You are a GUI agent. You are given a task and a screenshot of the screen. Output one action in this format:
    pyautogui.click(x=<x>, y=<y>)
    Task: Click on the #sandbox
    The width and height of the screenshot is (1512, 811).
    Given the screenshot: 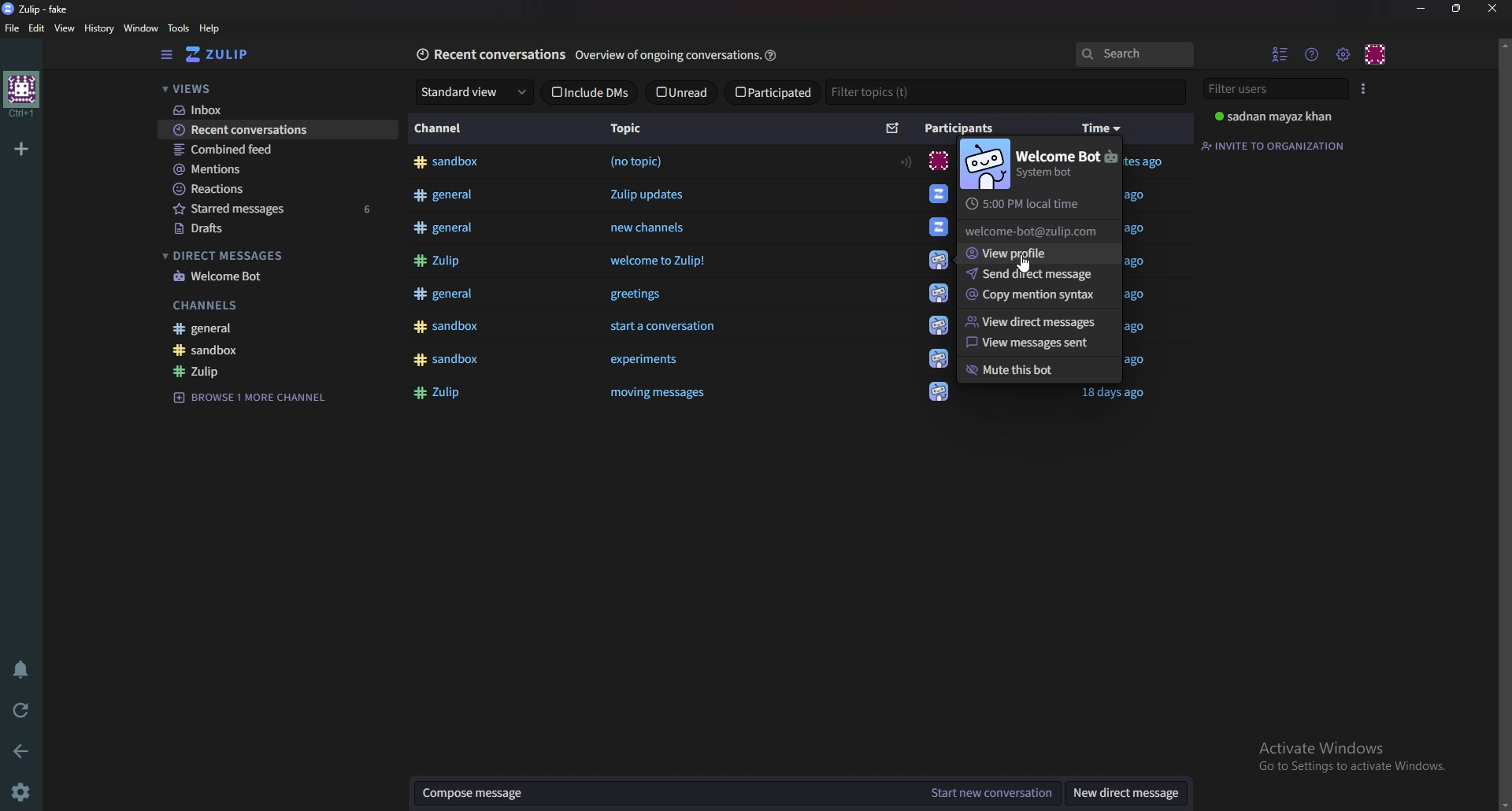 What is the action you would take?
    pyautogui.click(x=454, y=163)
    